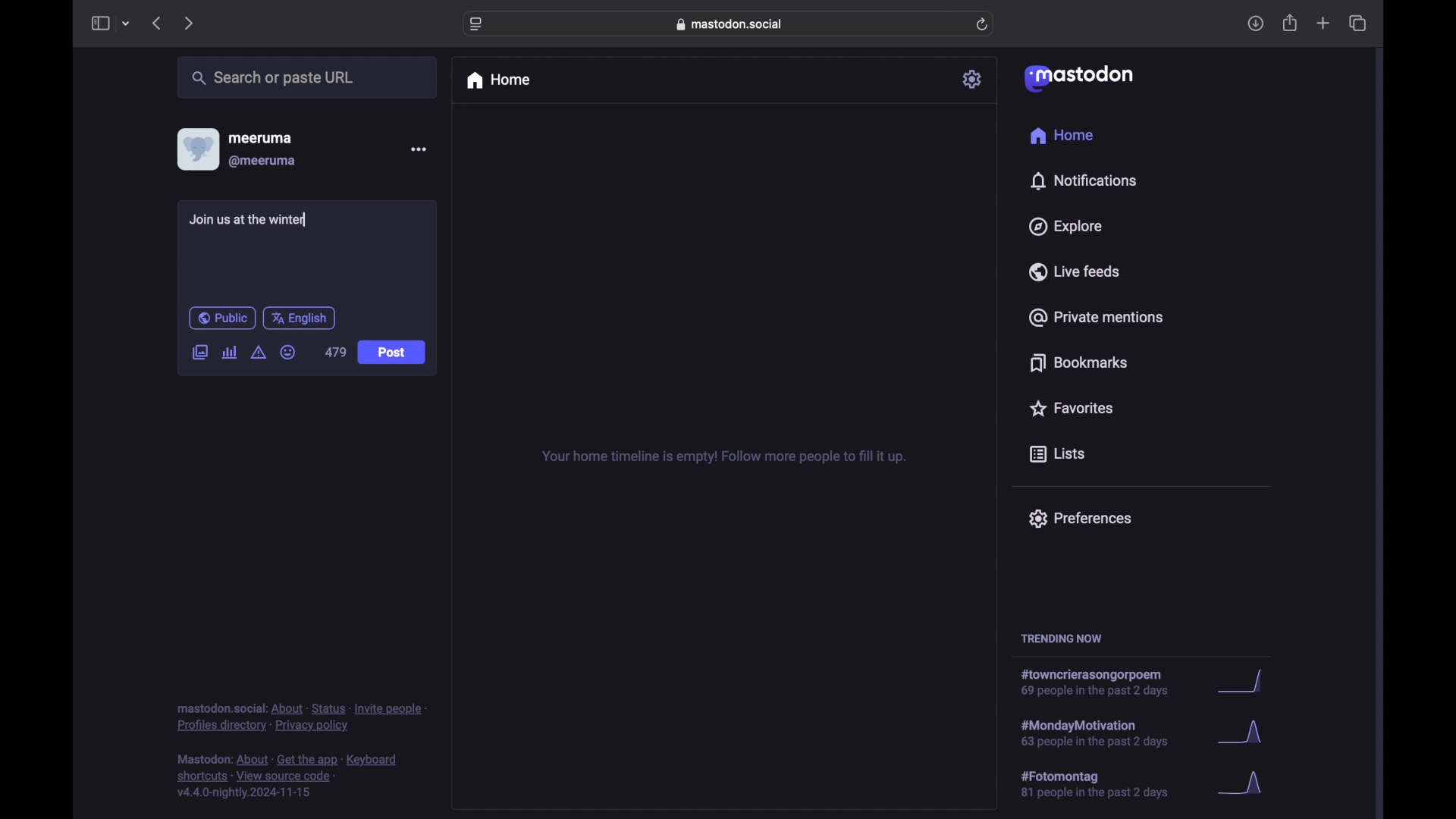  Describe the element at coordinates (723, 457) in the screenshot. I see `your home timeline is empty! follow more people to fill it up` at that location.